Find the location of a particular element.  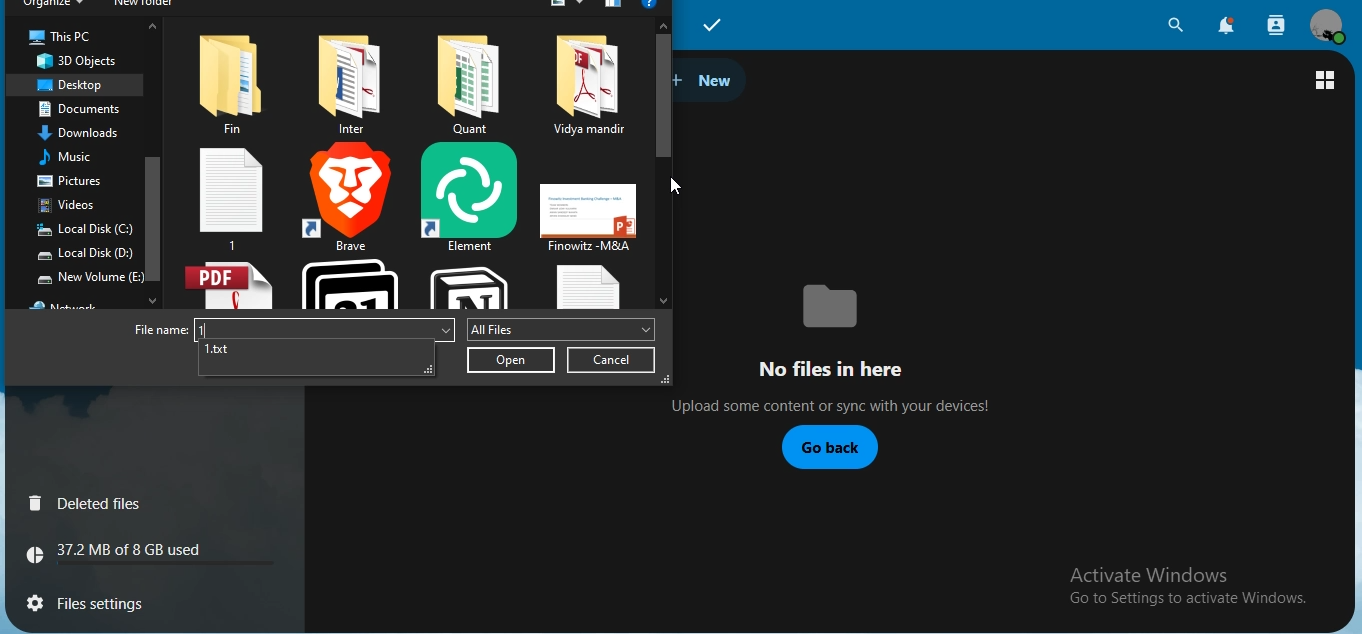

pdf is located at coordinates (227, 286).